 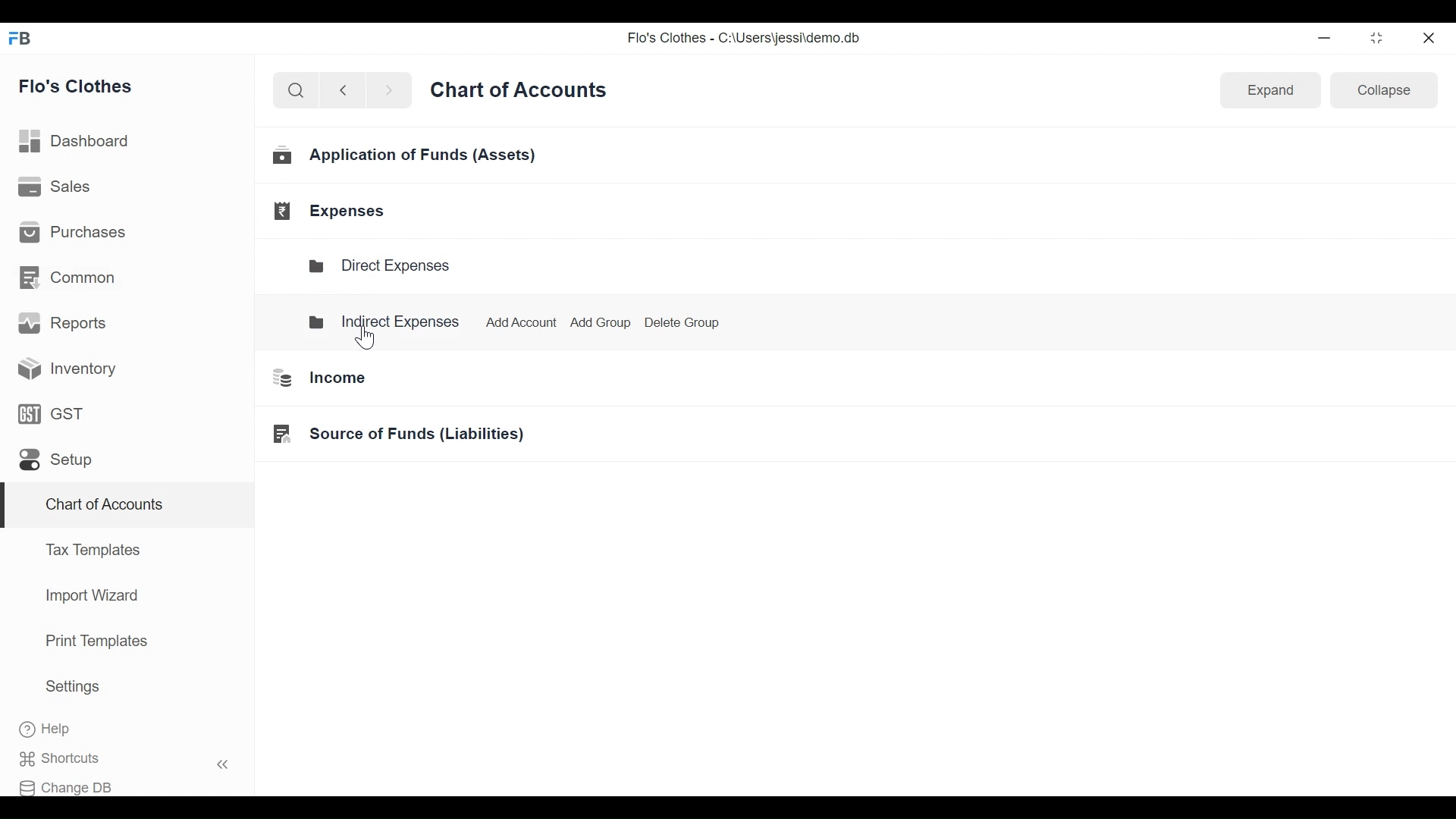 What do you see at coordinates (393, 435) in the screenshot?
I see `Source of Funds (Liabilities)` at bounding box center [393, 435].